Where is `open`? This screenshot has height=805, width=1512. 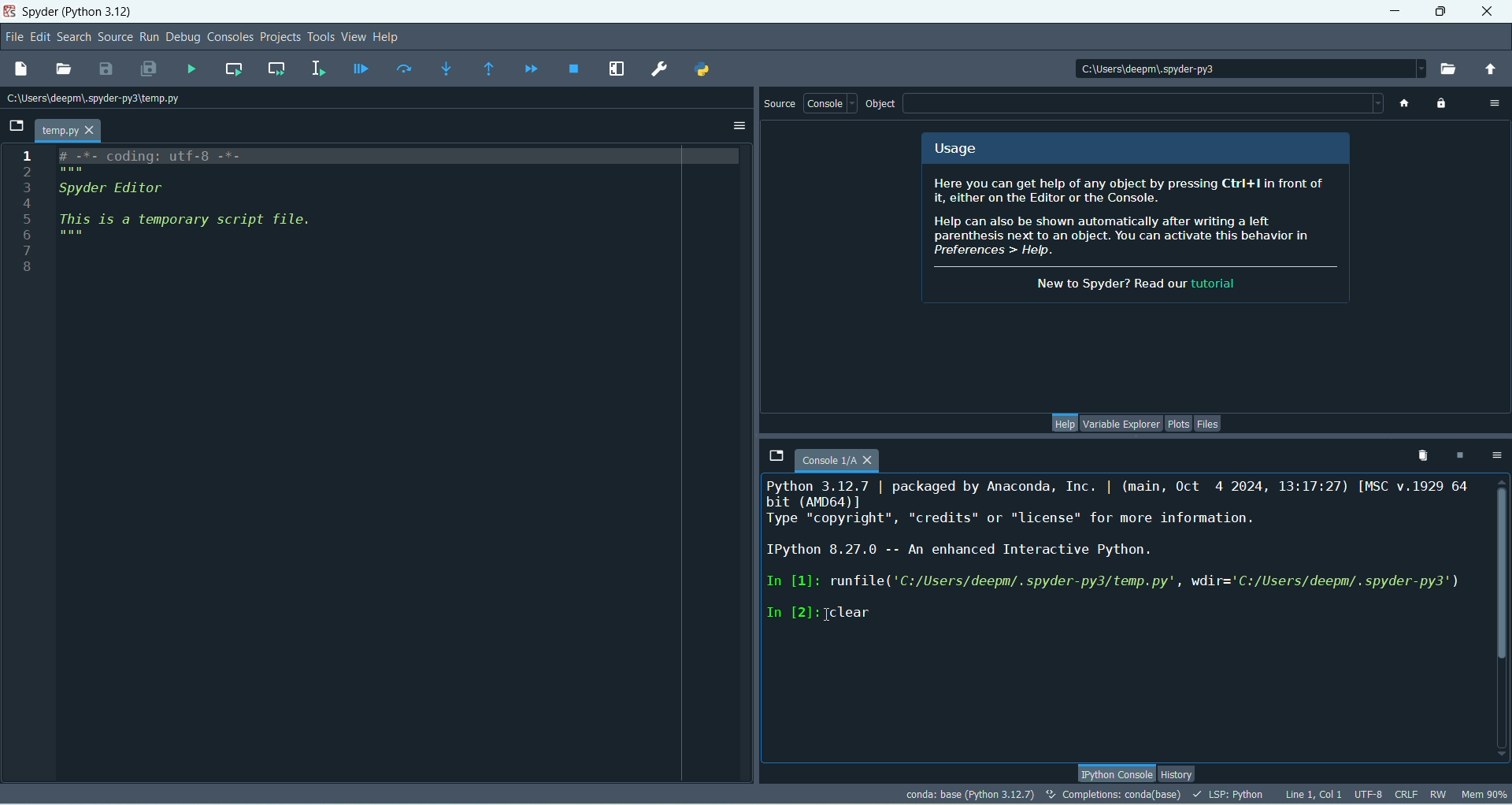
open is located at coordinates (63, 69).